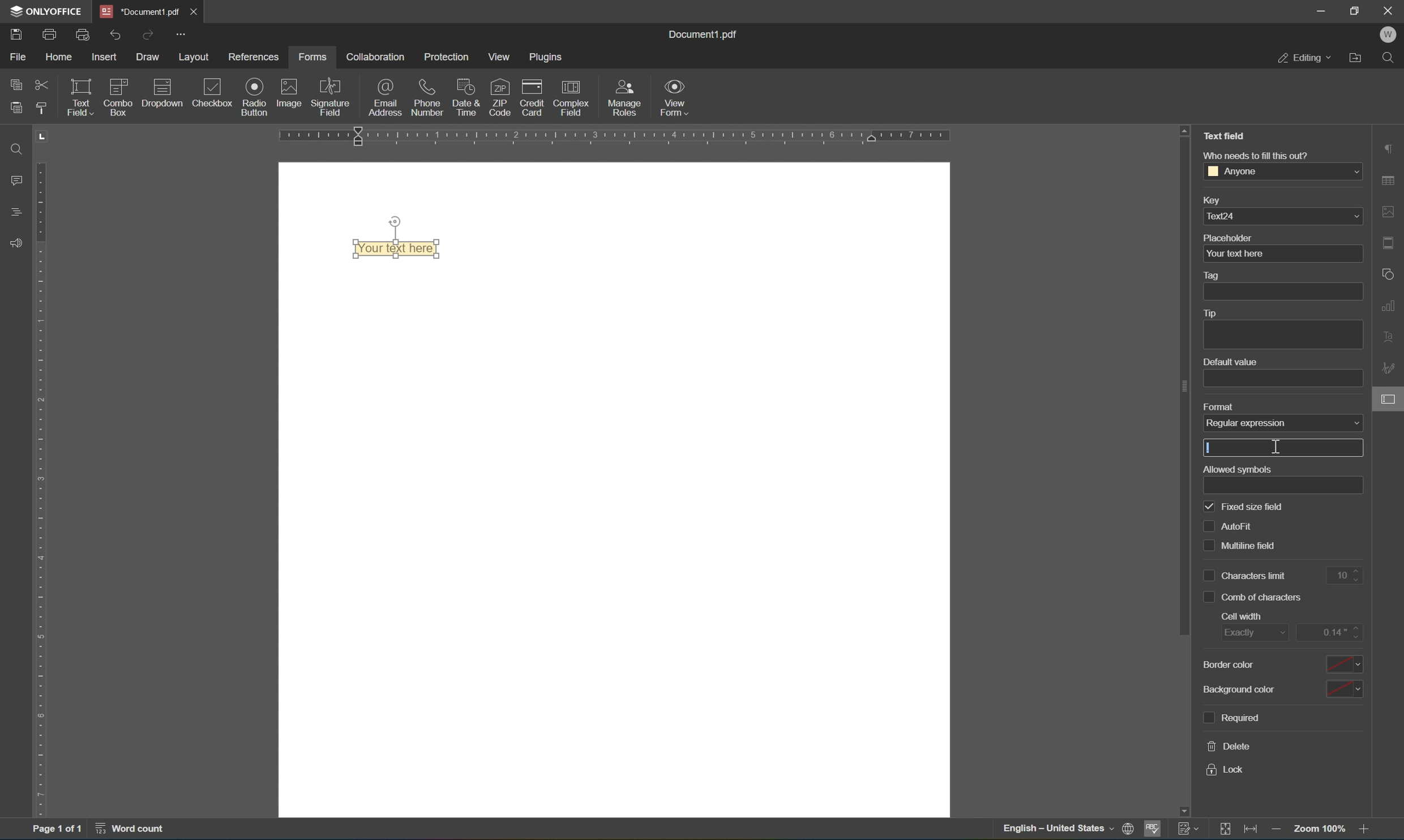  What do you see at coordinates (1240, 689) in the screenshot?
I see `background color` at bounding box center [1240, 689].